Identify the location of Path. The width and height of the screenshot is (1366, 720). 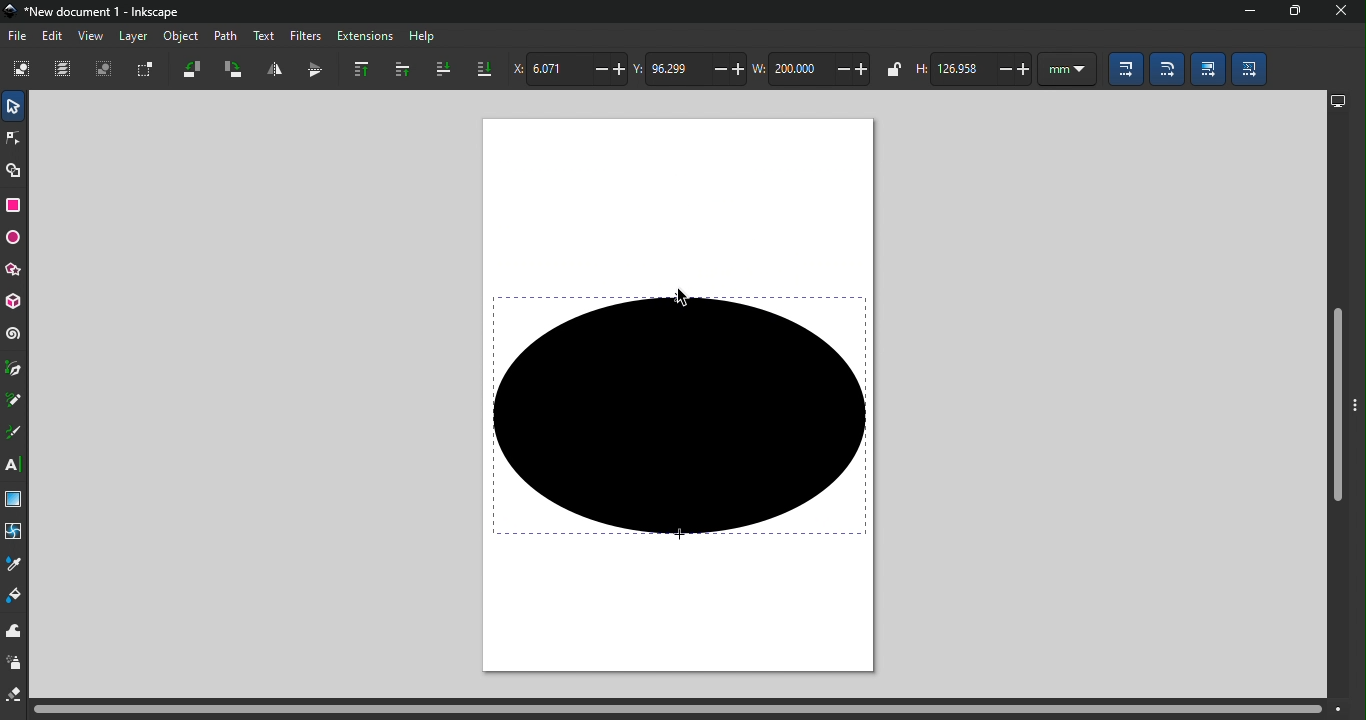
(225, 37).